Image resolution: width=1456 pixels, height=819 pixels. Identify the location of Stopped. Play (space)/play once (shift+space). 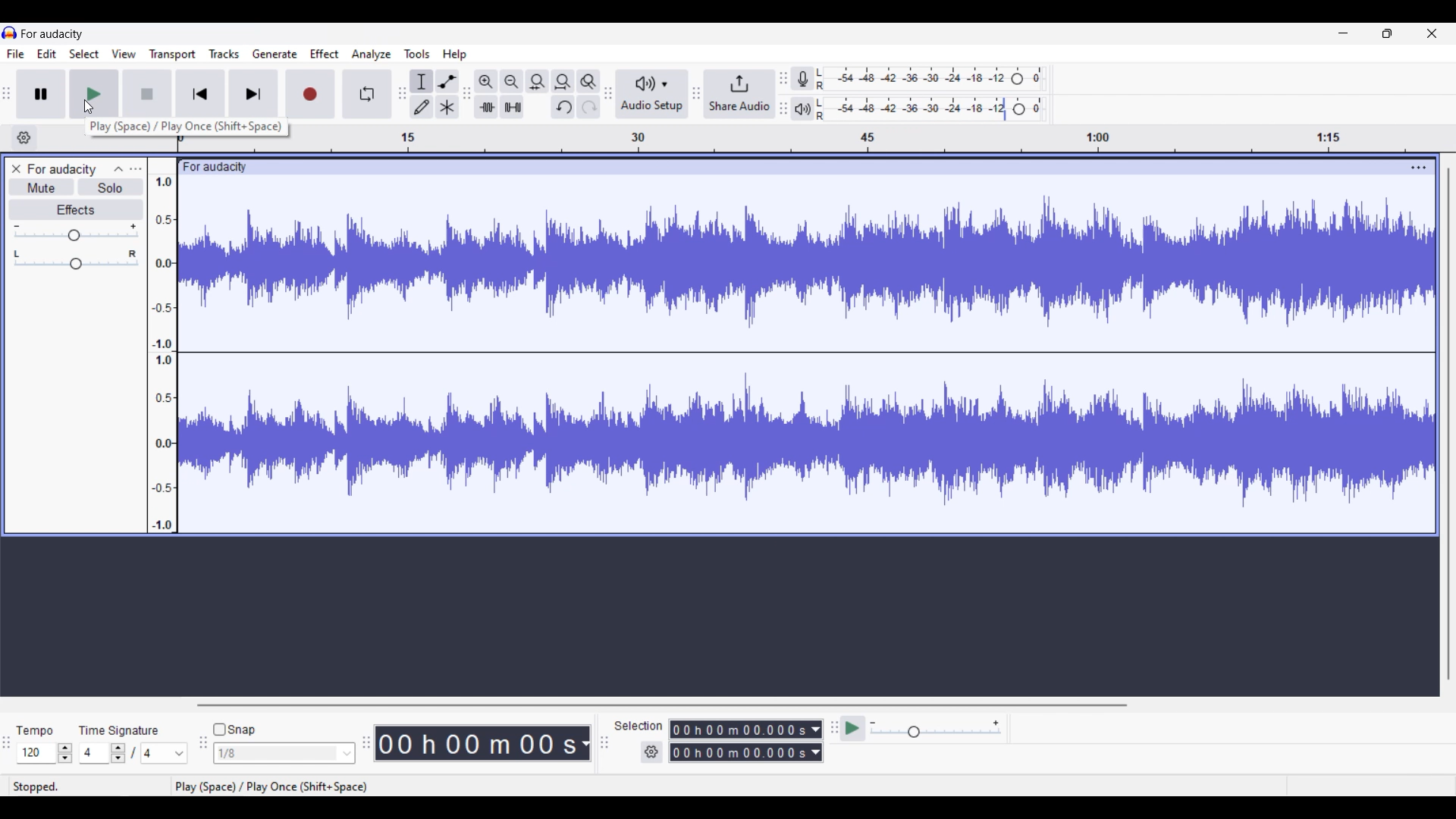
(731, 786).